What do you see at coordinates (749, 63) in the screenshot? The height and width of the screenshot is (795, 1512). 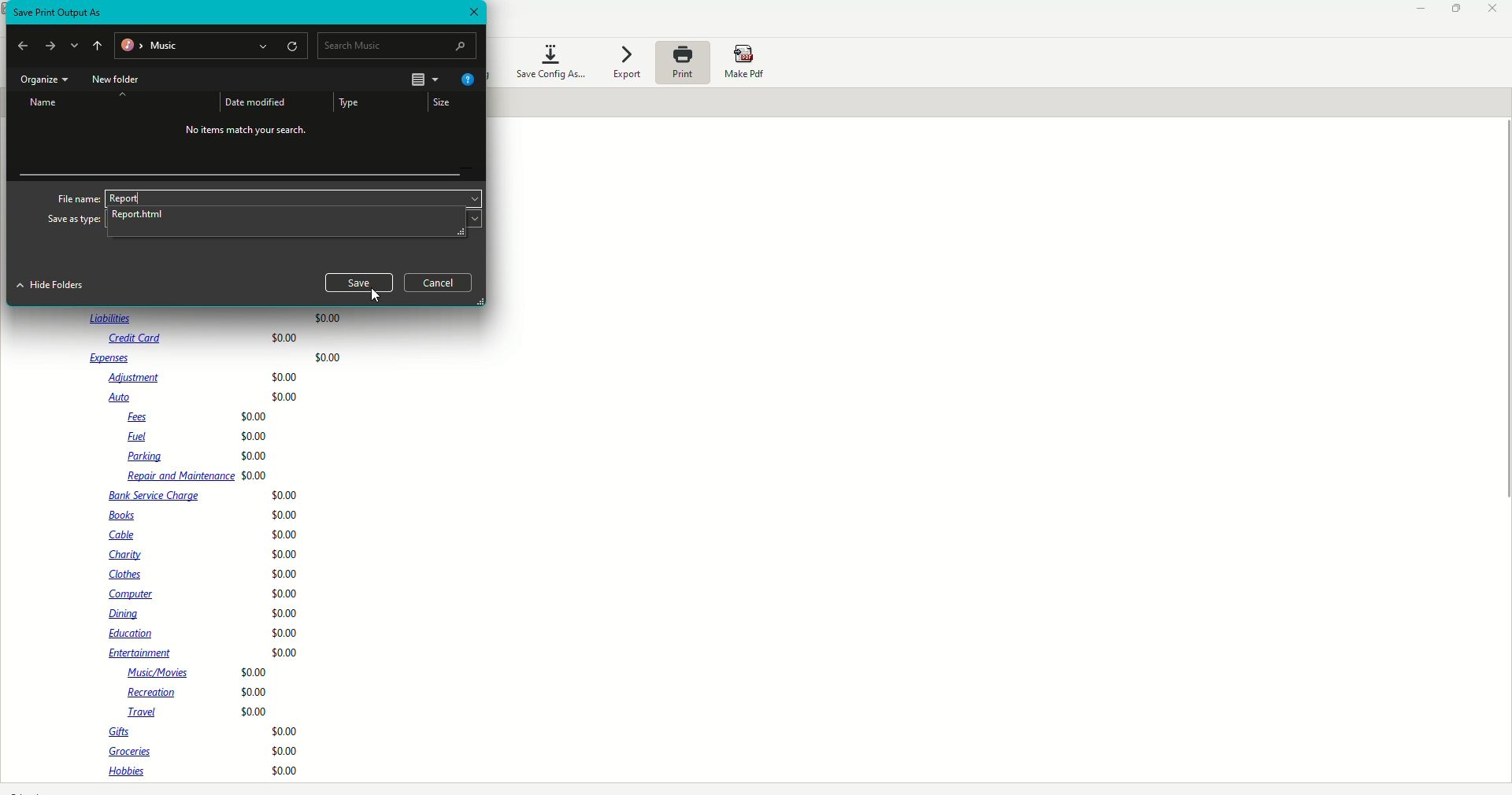 I see `Make PDF` at bounding box center [749, 63].